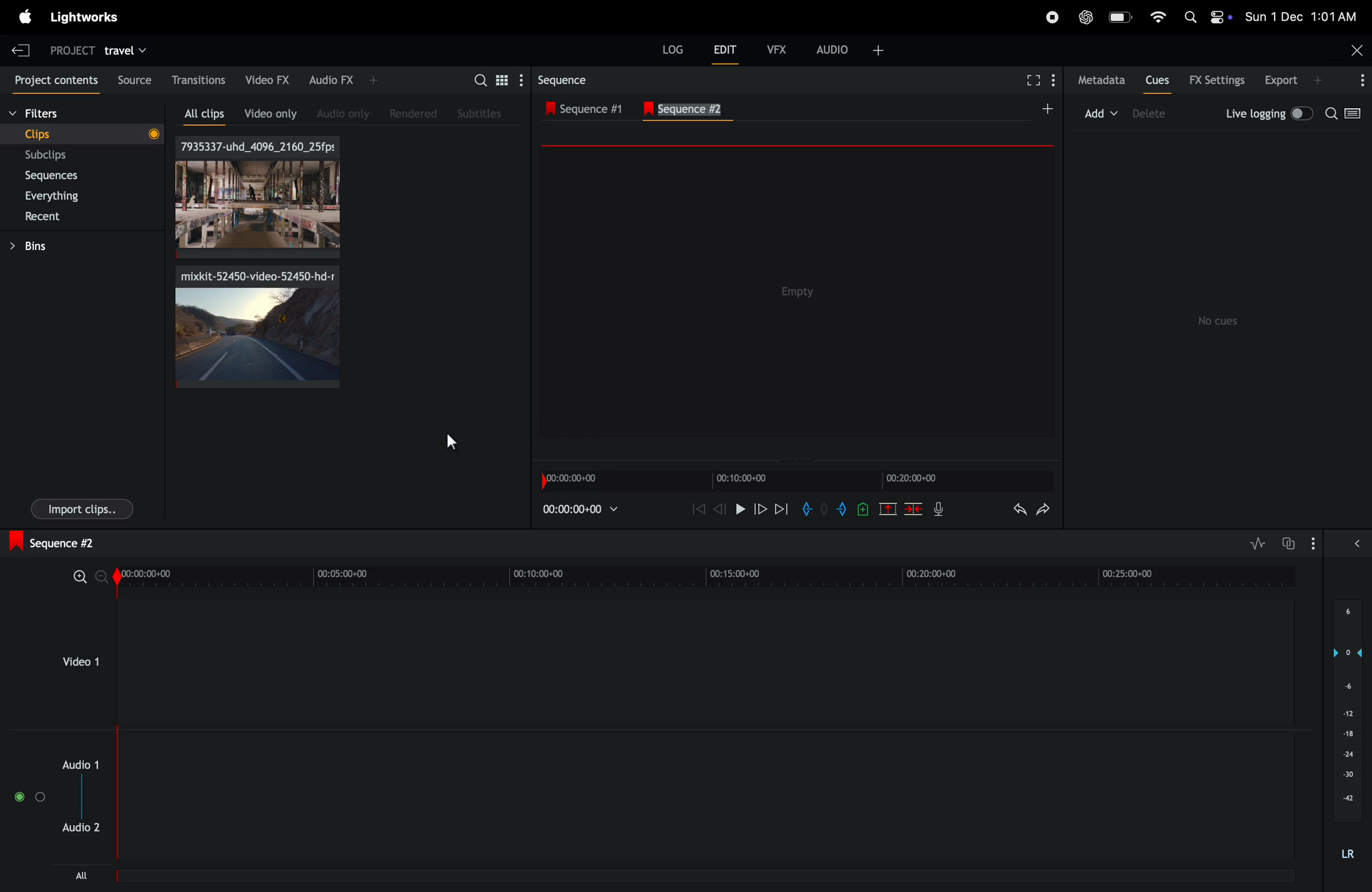 This screenshot has height=892, width=1372. What do you see at coordinates (1036, 80) in the screenshot?
I see `fullscreen` at bounding box center [1036, 80].